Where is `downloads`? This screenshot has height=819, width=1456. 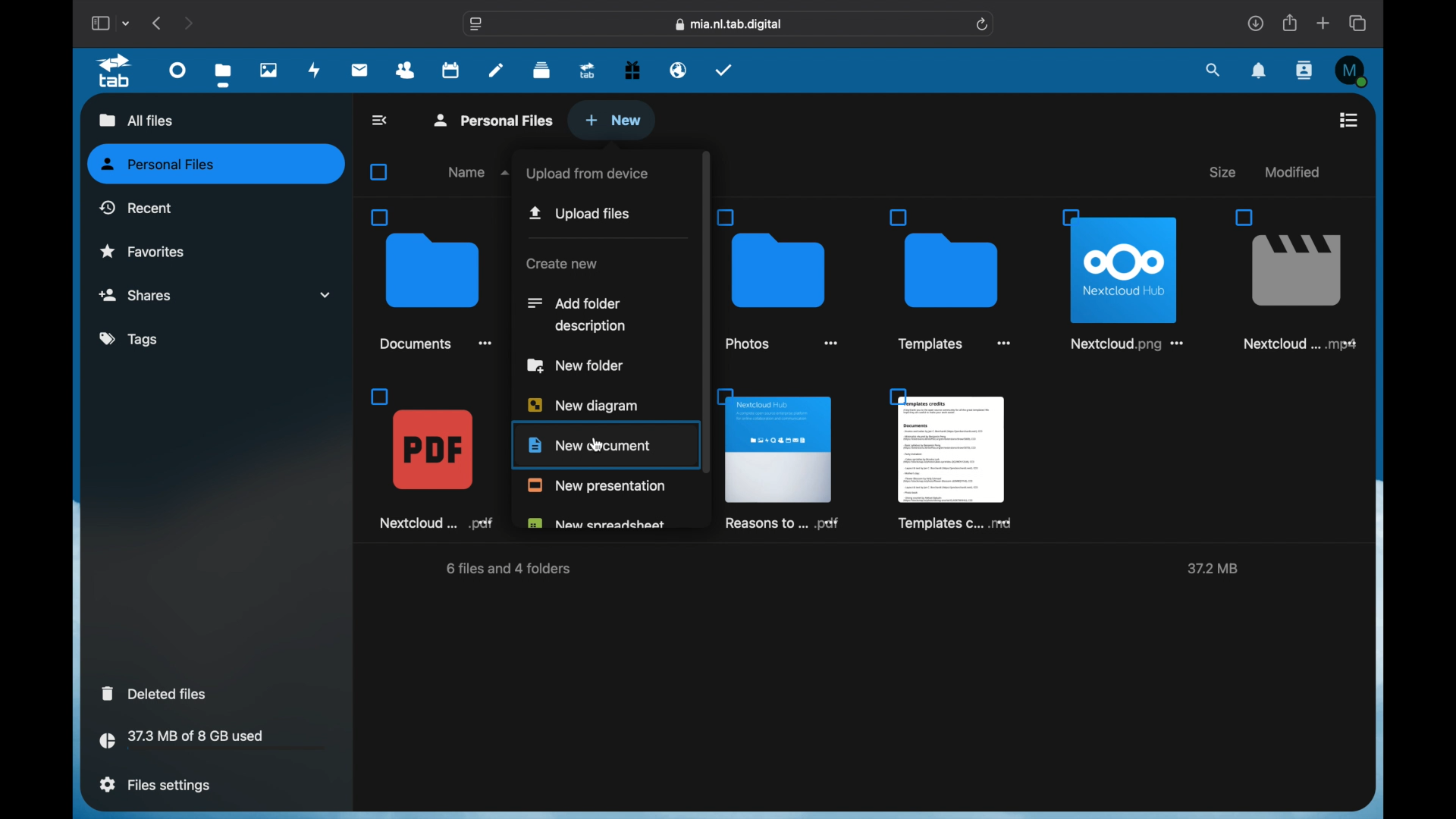 downloads is located at coordinates (1255, 23).